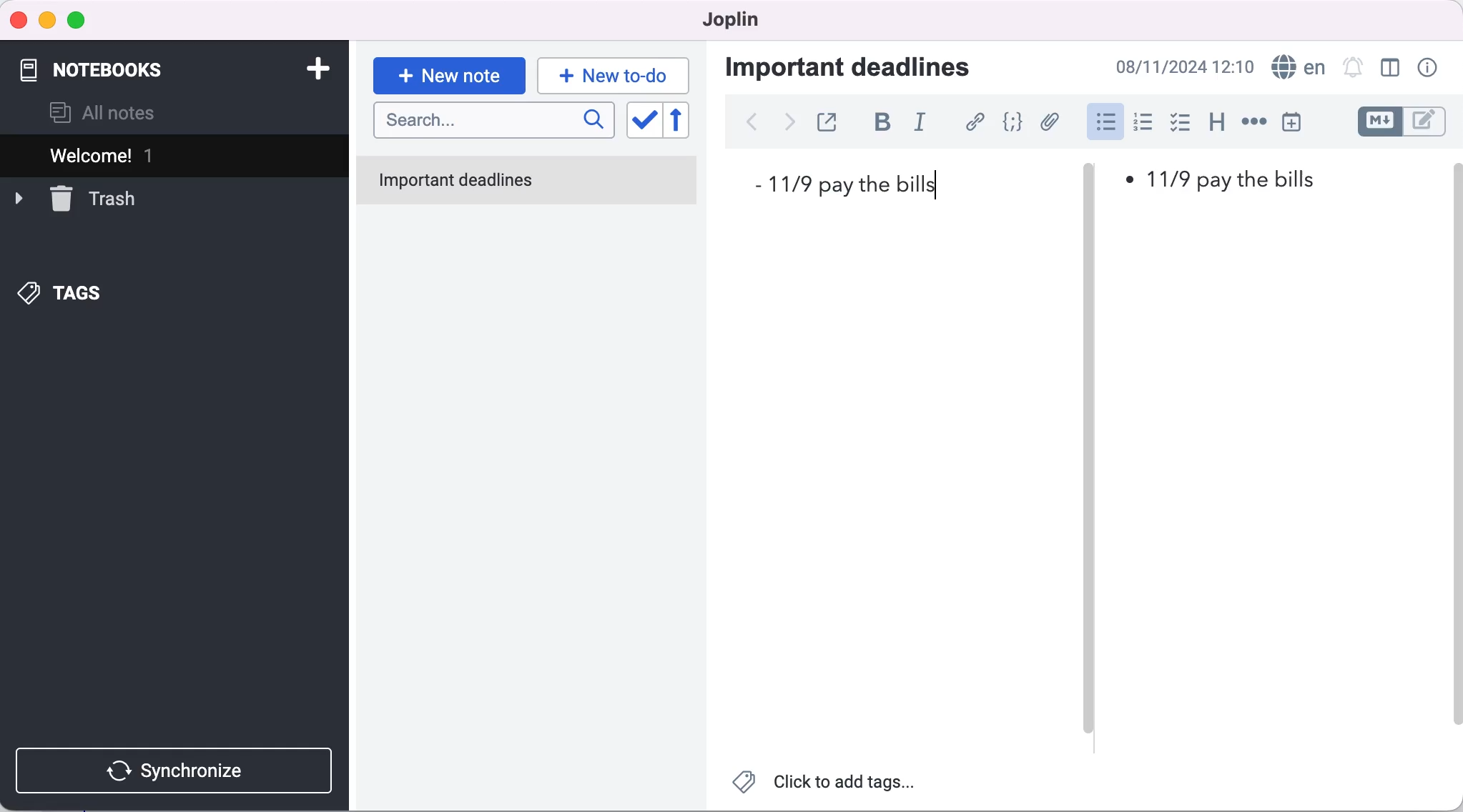 Image resolution: width=1463 pixels, height=812 pixels. What do you see at coordinates (754, 124) in the screenshot?
I see `back` at bounding box center [754, 124].